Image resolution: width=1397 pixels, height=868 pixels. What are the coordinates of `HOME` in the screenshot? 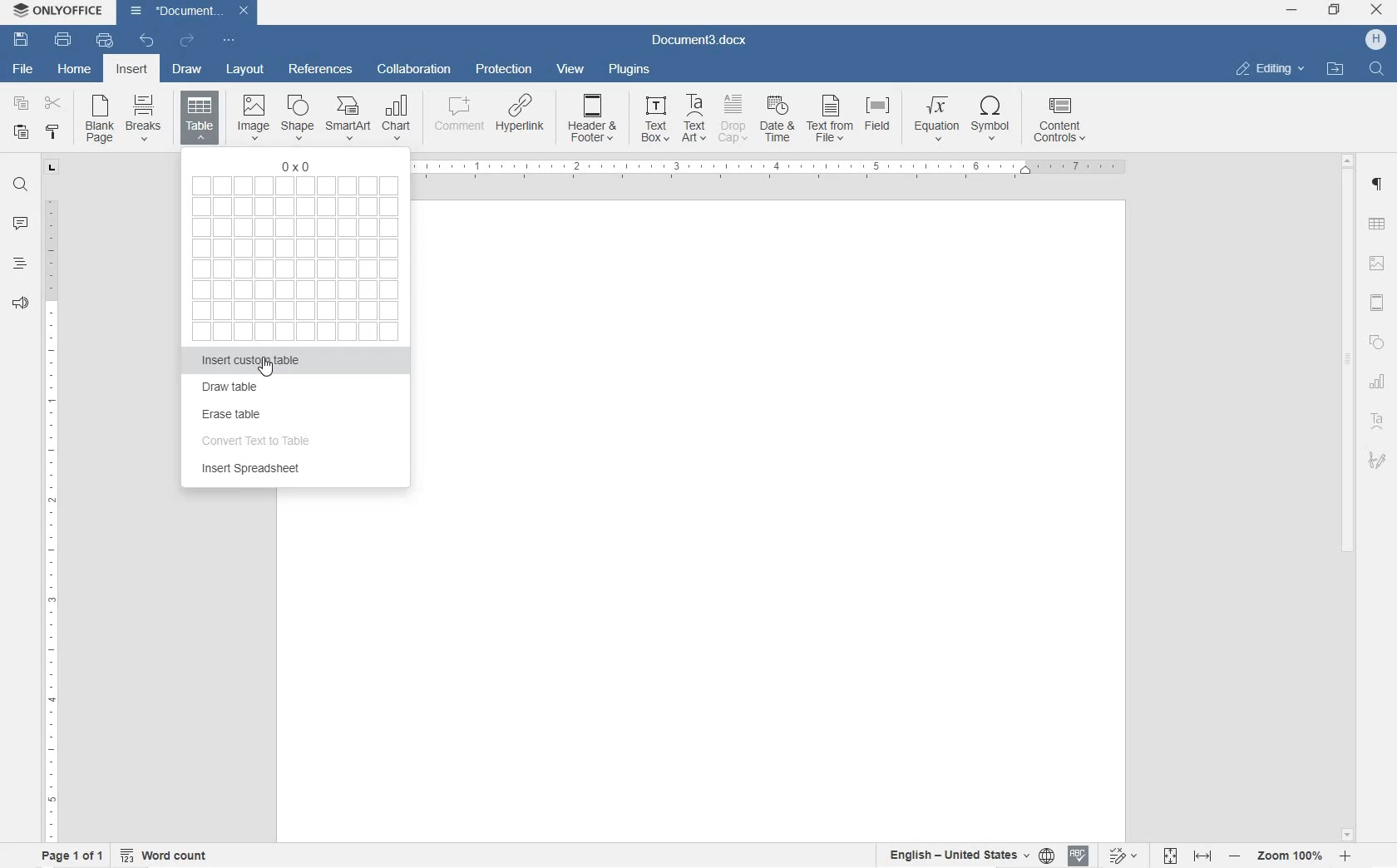 It's located at (76, 67).